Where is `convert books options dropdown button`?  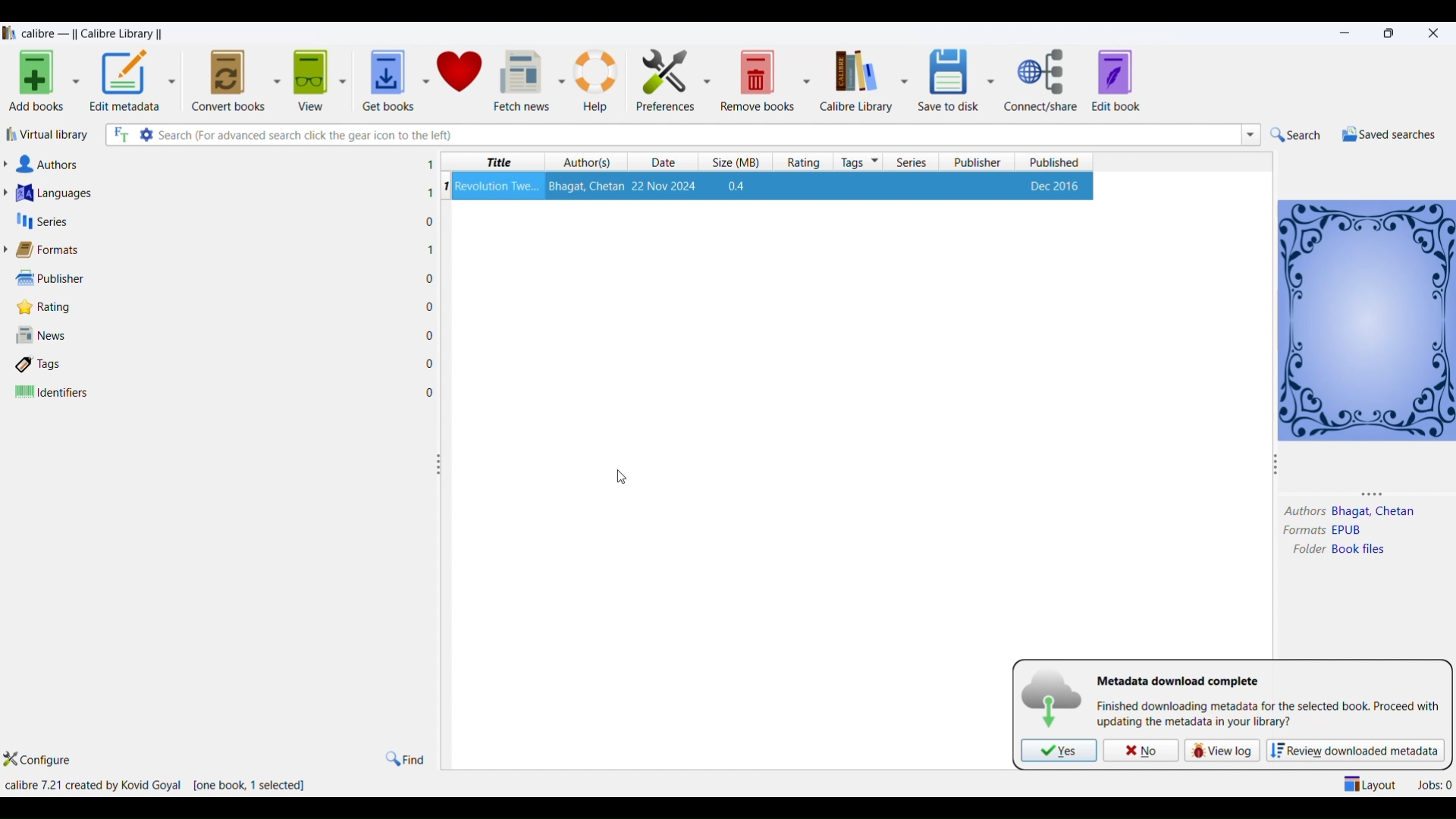
convert books options dropdown button is located at coordinates (275, 77).